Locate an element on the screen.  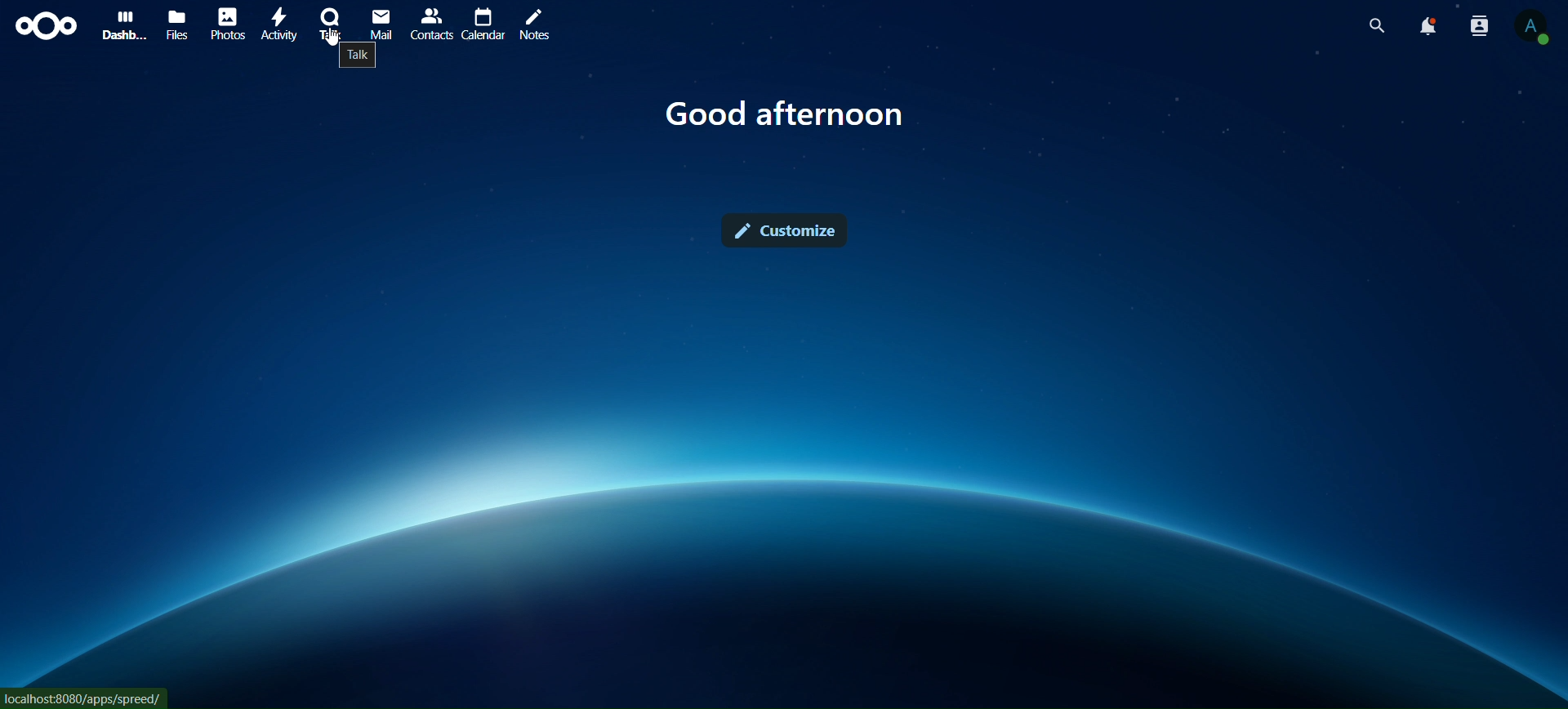
mail is located at coordinates (381, 24).